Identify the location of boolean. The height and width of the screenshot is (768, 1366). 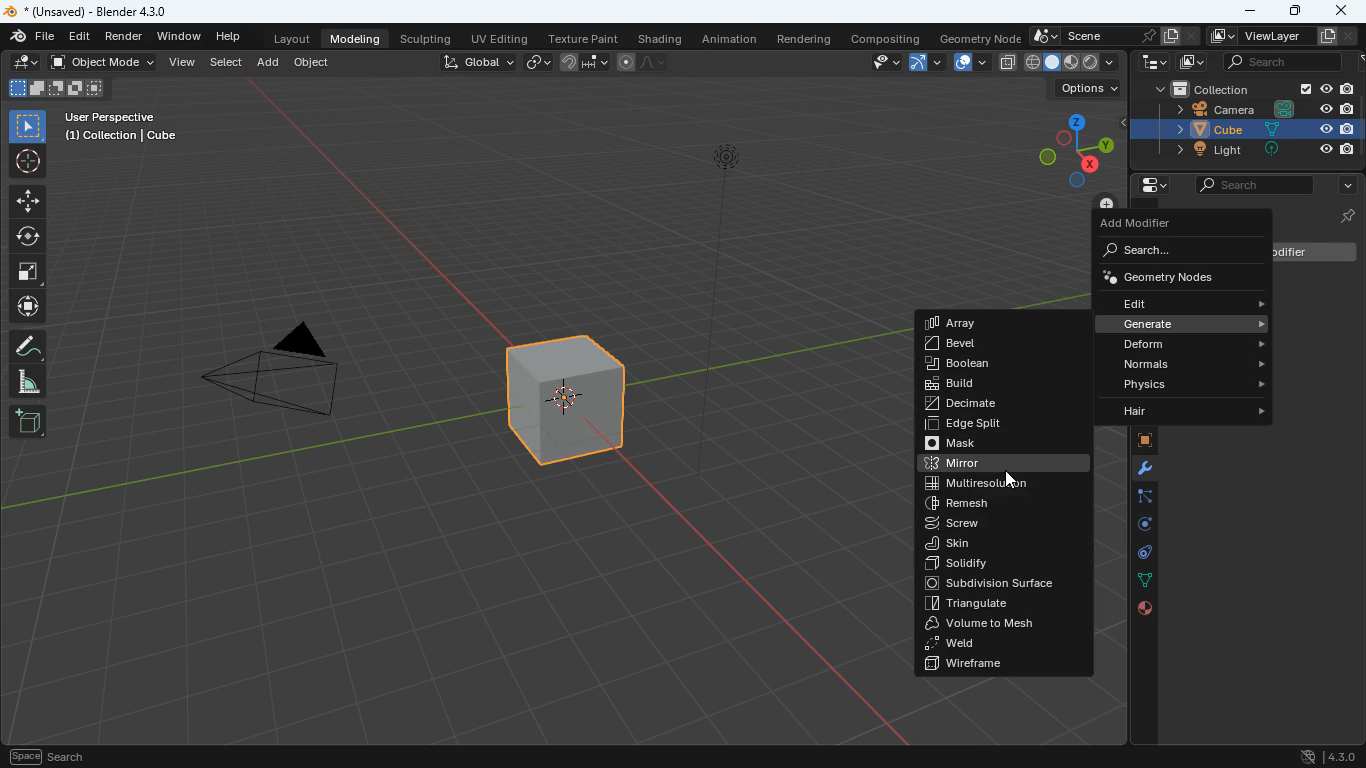
(1000, 365).